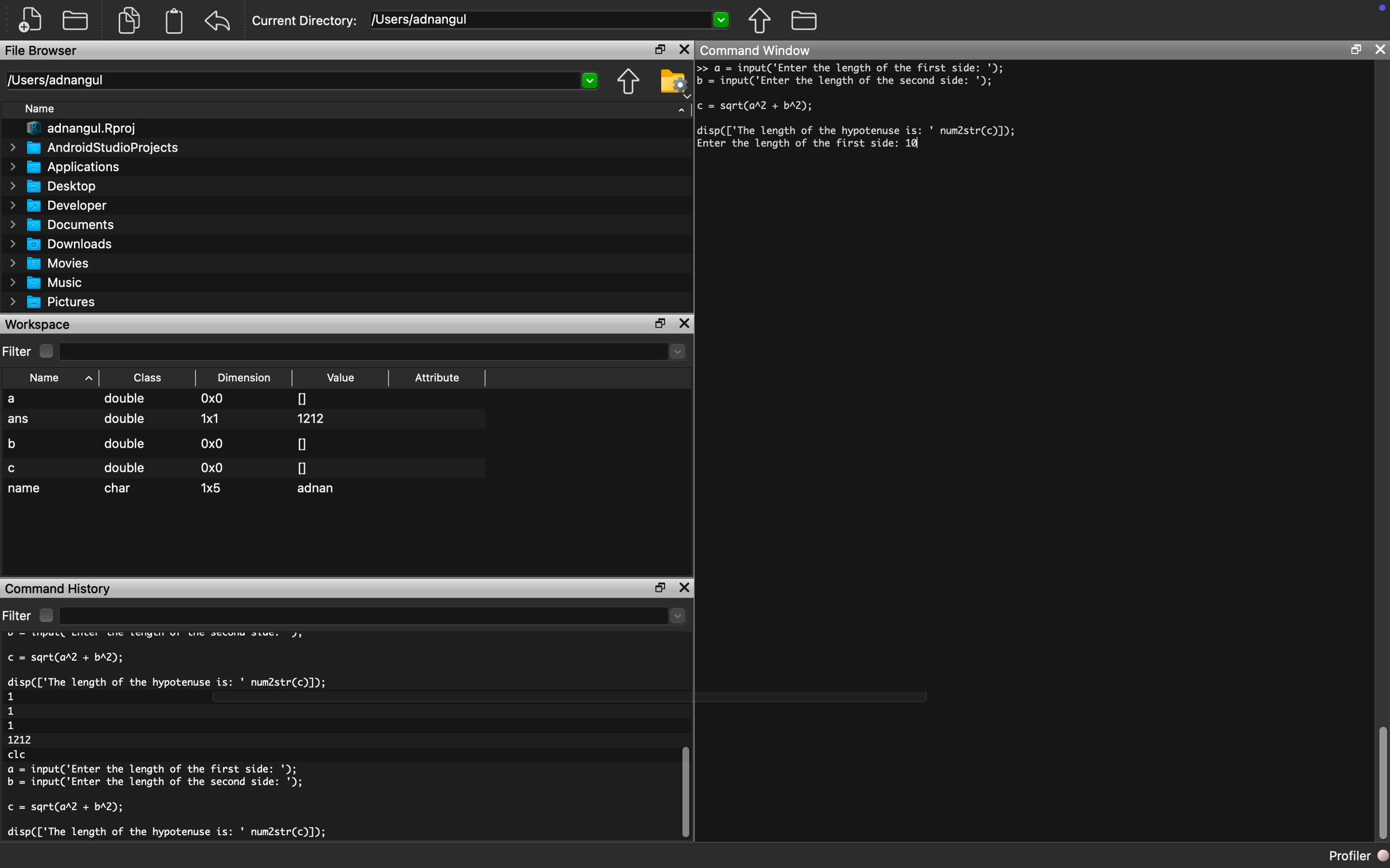  I want to click on restore down, so click(1355, 52).